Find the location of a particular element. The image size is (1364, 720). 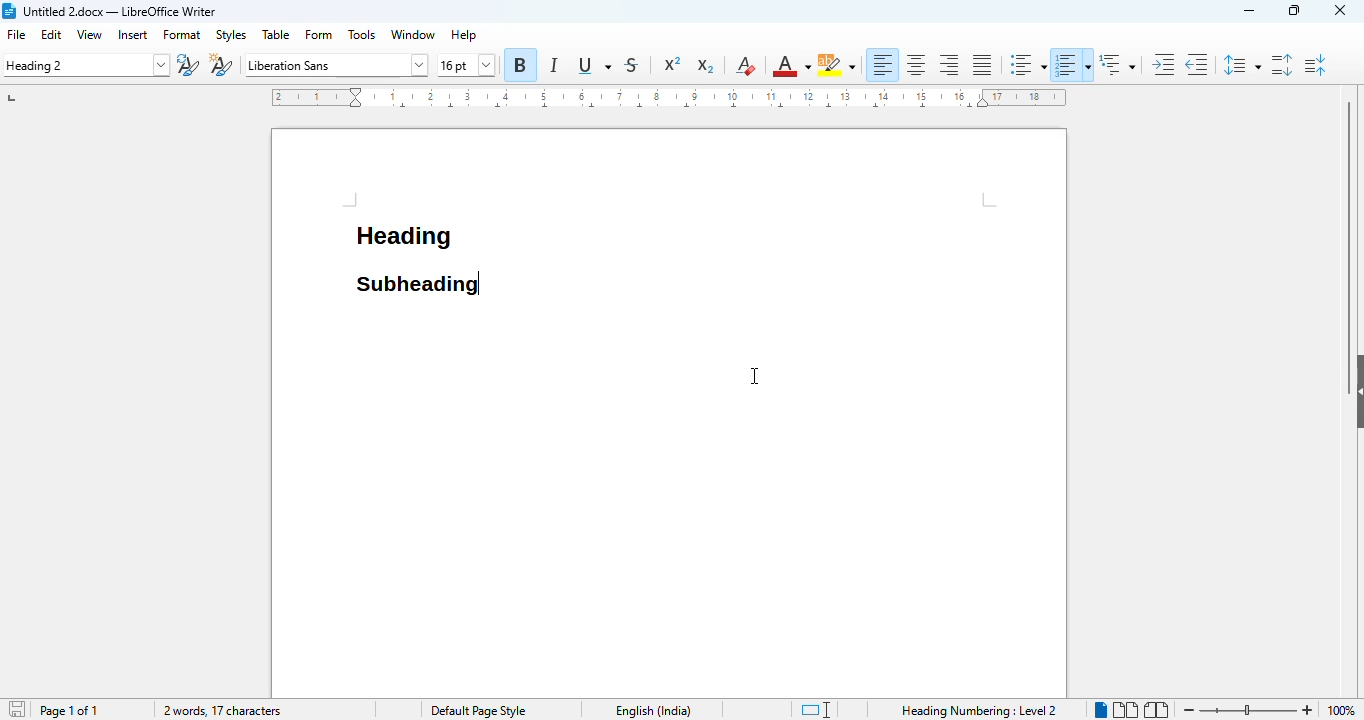

align center is located at coordinates (916, 65).